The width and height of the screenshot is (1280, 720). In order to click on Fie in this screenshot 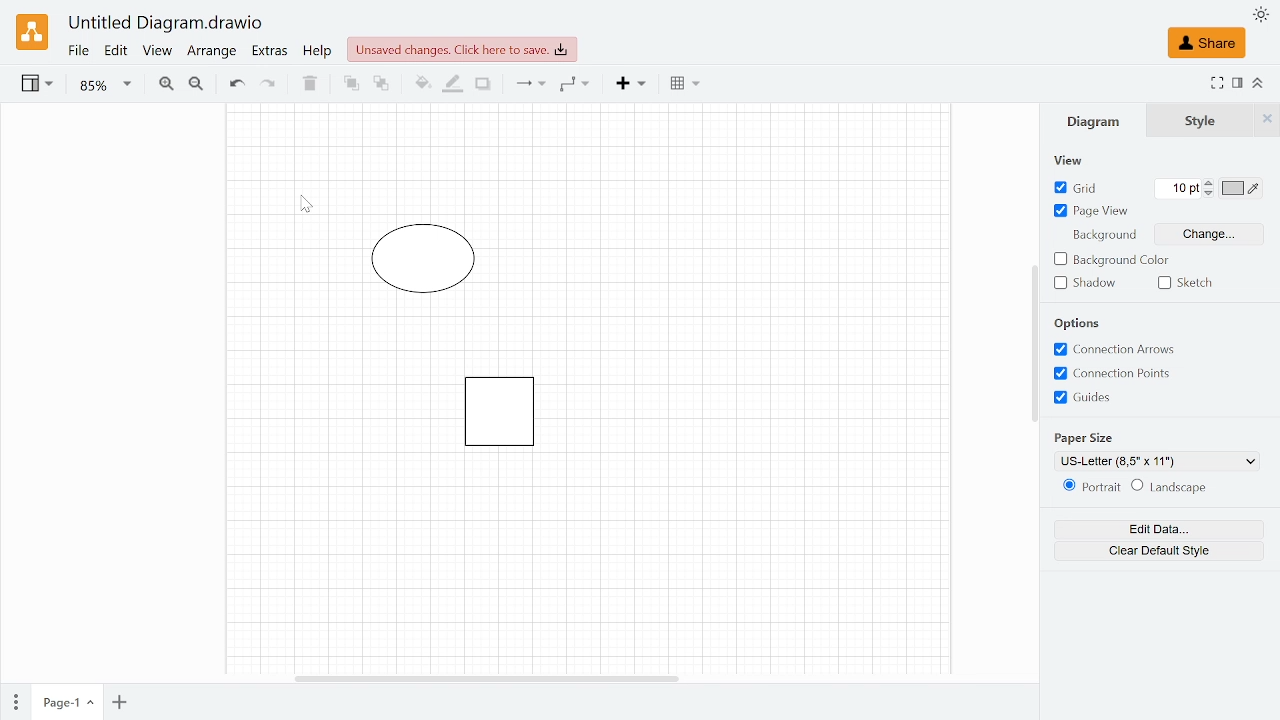, I will do `click(78, 52)`.